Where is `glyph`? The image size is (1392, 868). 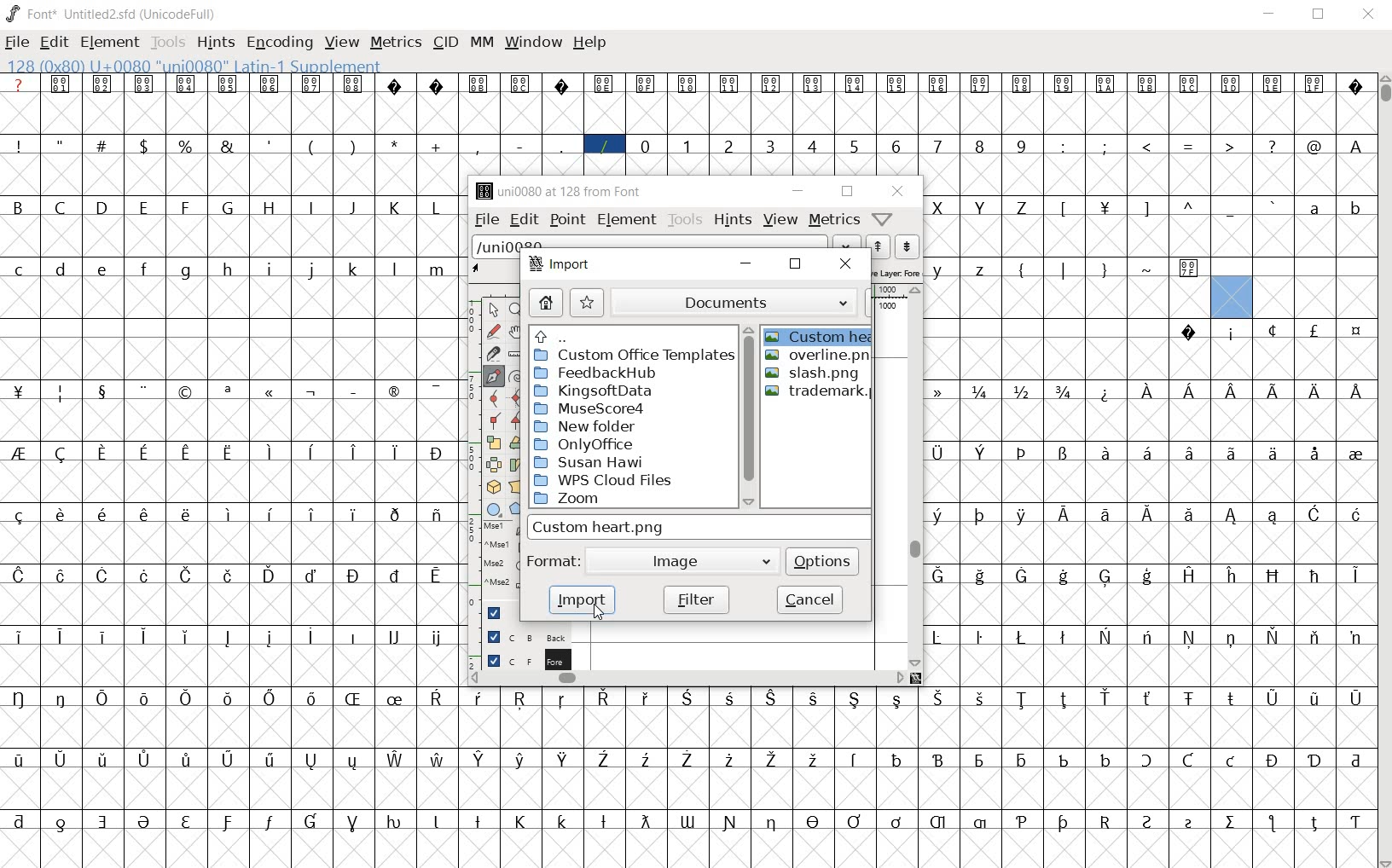 glyph is located at coordinates (645, 821).